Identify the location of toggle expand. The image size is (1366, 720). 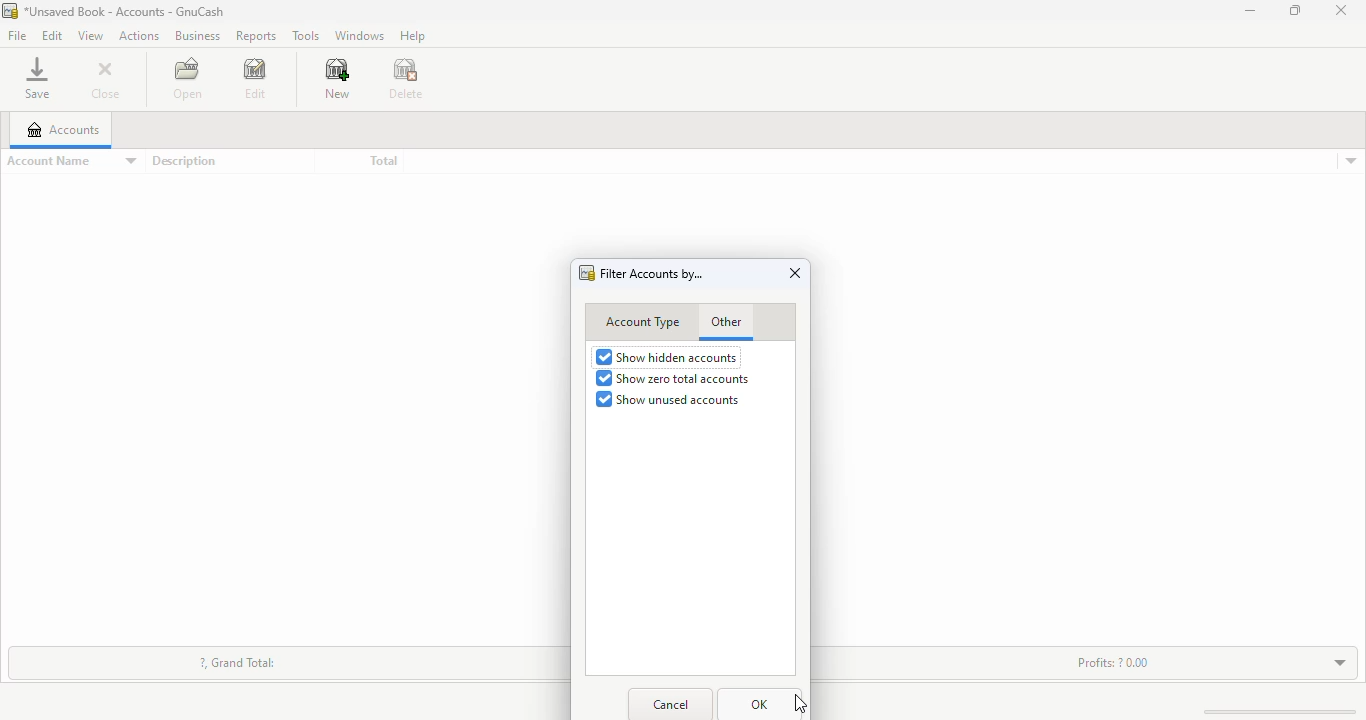
(1335, 658).